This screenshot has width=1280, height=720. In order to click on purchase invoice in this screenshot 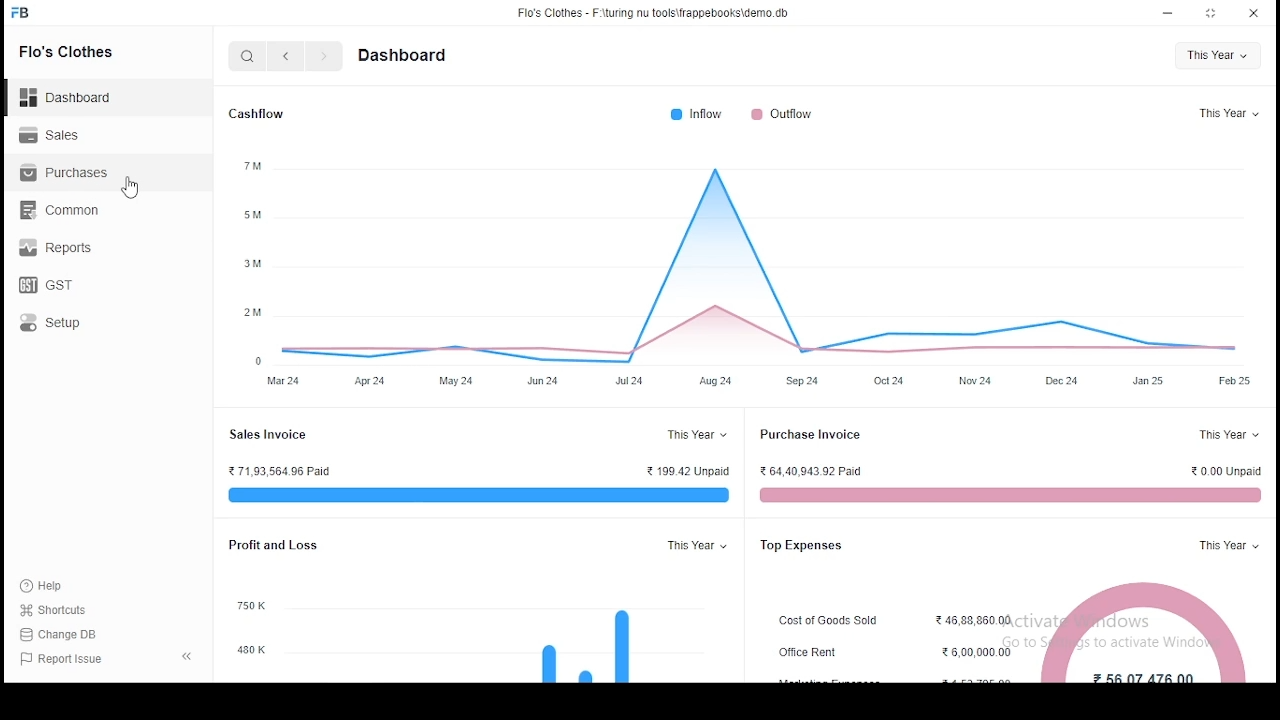, I will do `click(812, 434)`.